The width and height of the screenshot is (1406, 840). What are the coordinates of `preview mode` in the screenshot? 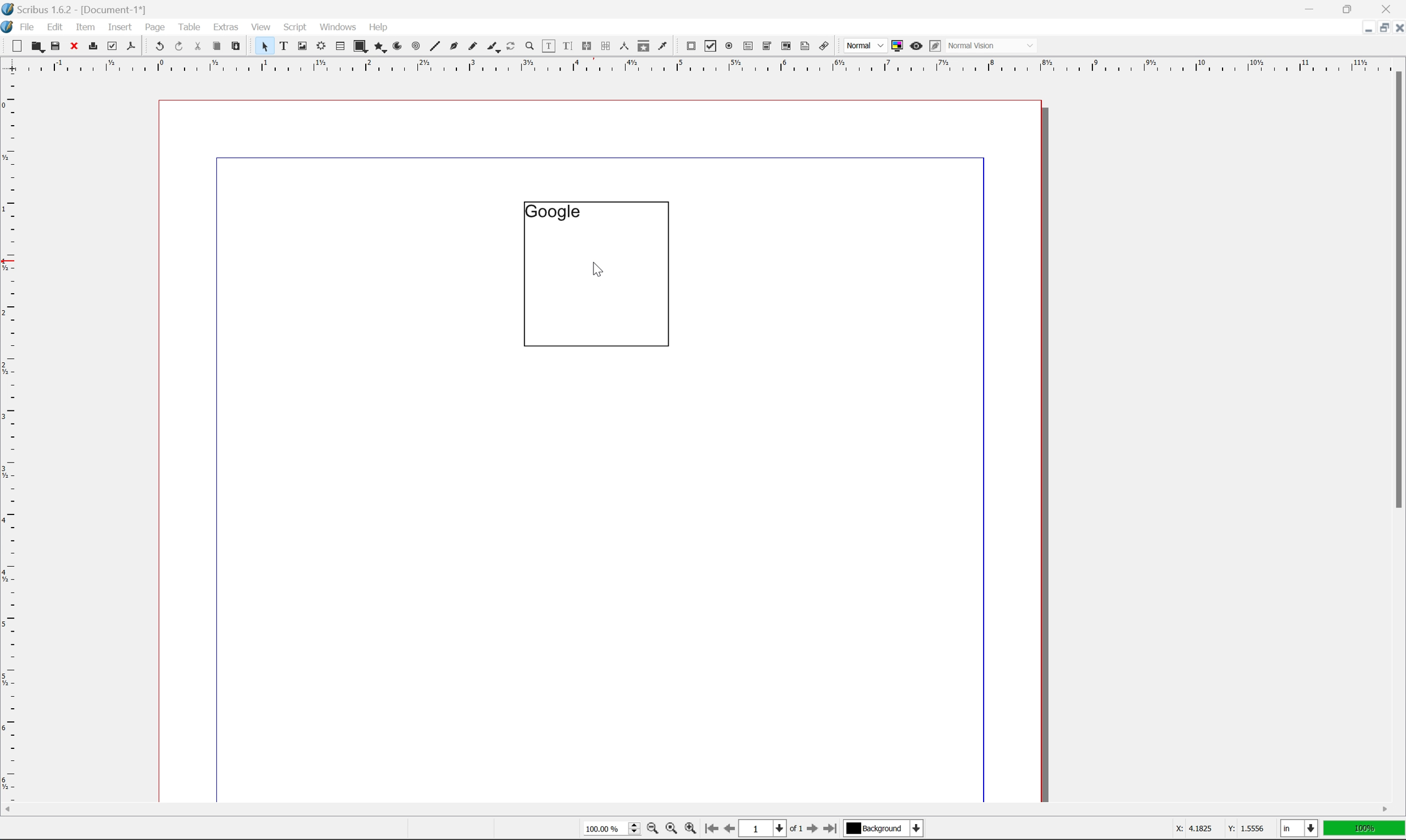 It's located at (914, 45).